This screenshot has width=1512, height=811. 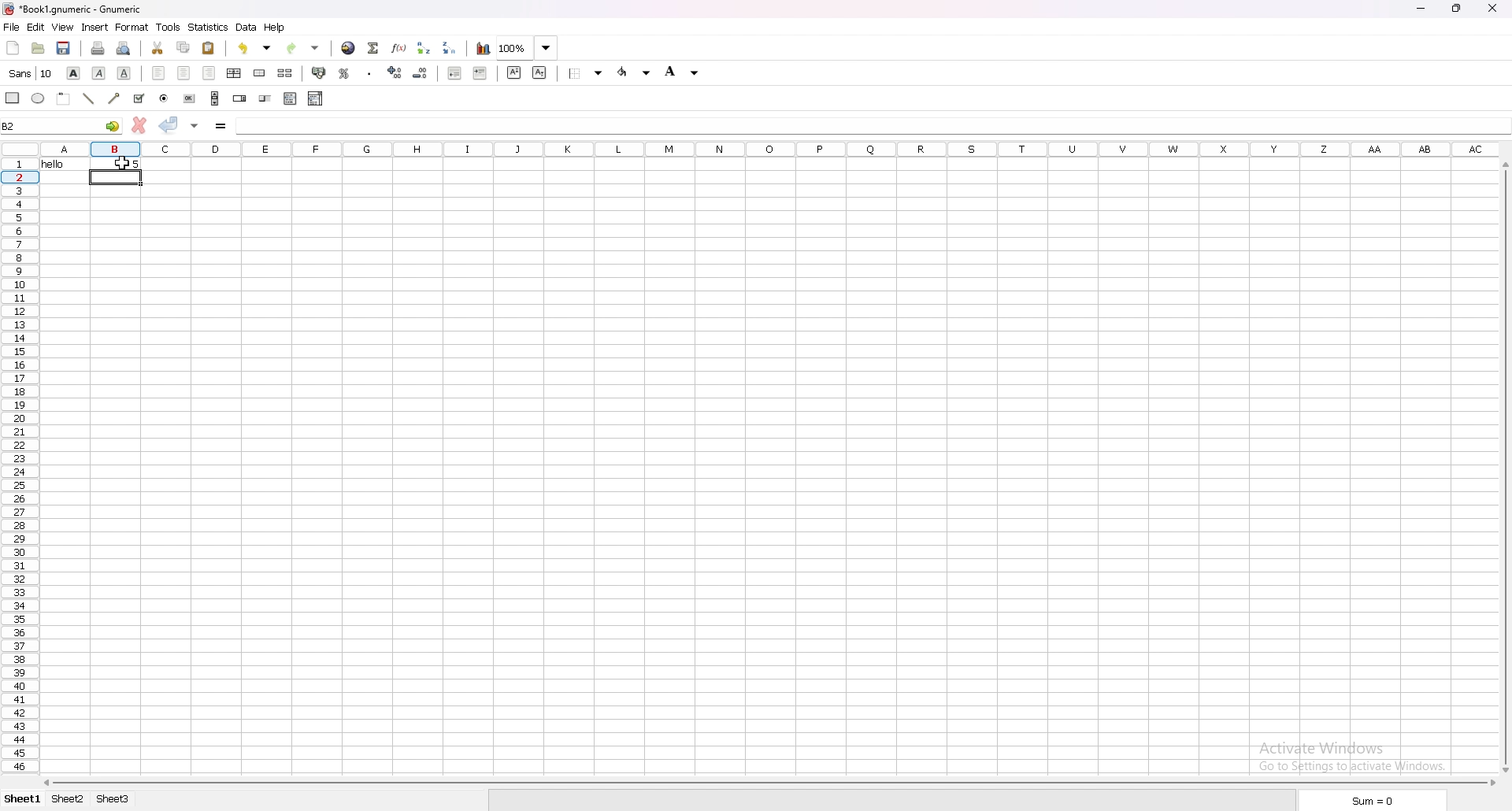 I want to click on new, so click(x=13, y=48).